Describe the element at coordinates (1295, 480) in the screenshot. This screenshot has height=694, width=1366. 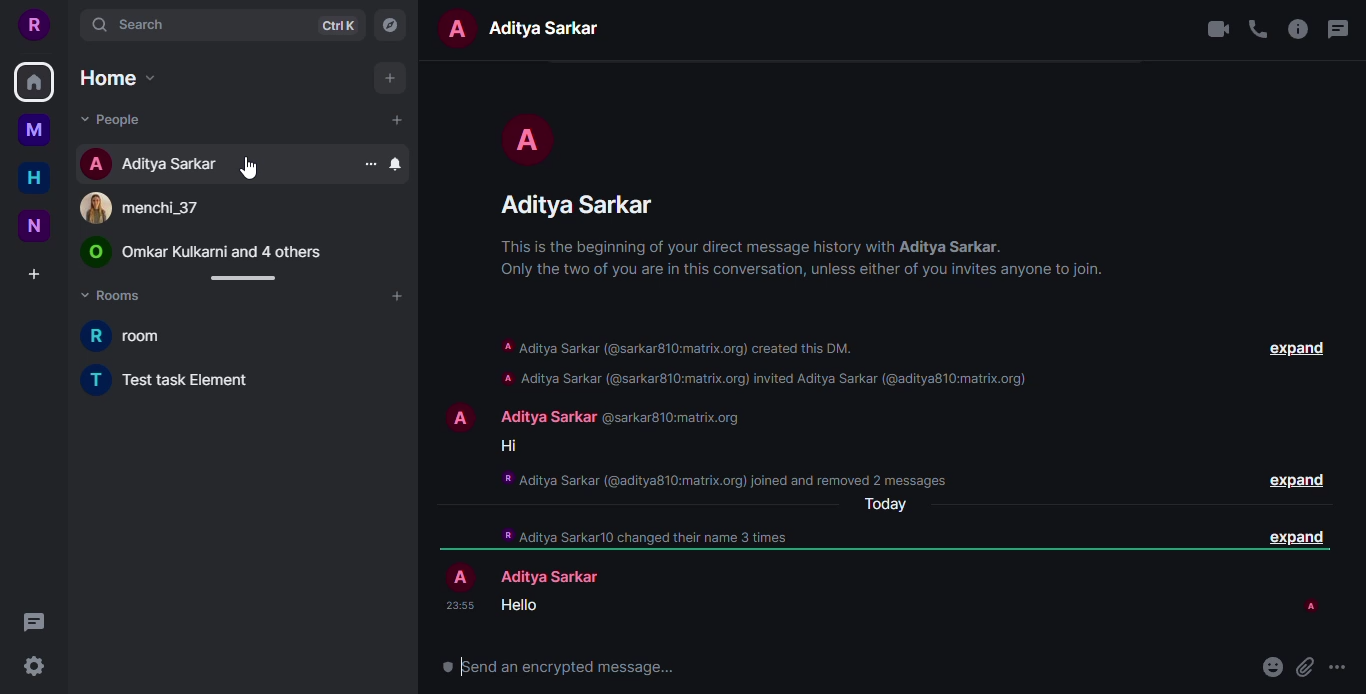
I see `expand` at that location.